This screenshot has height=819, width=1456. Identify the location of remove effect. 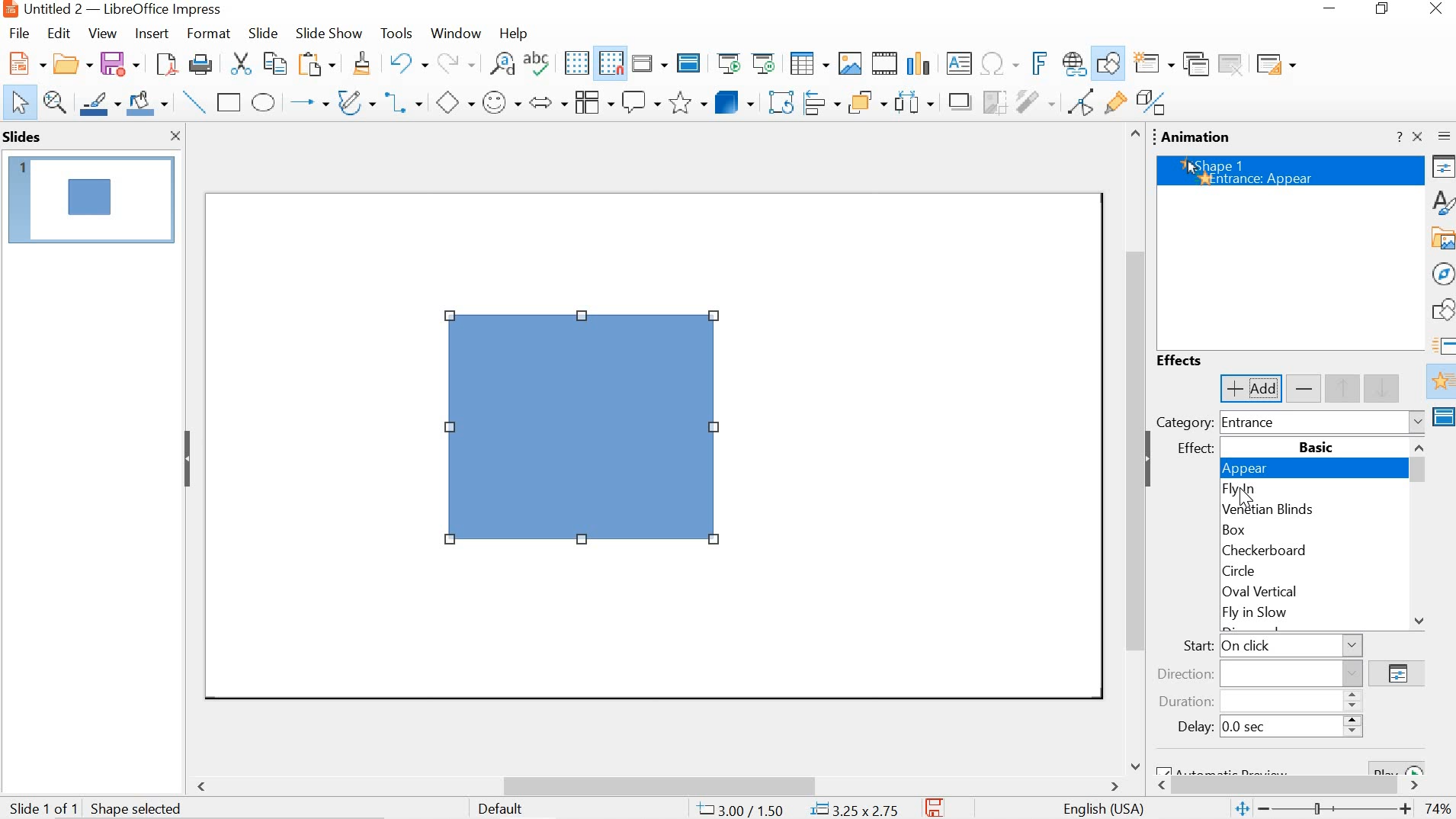
(1305, 389).